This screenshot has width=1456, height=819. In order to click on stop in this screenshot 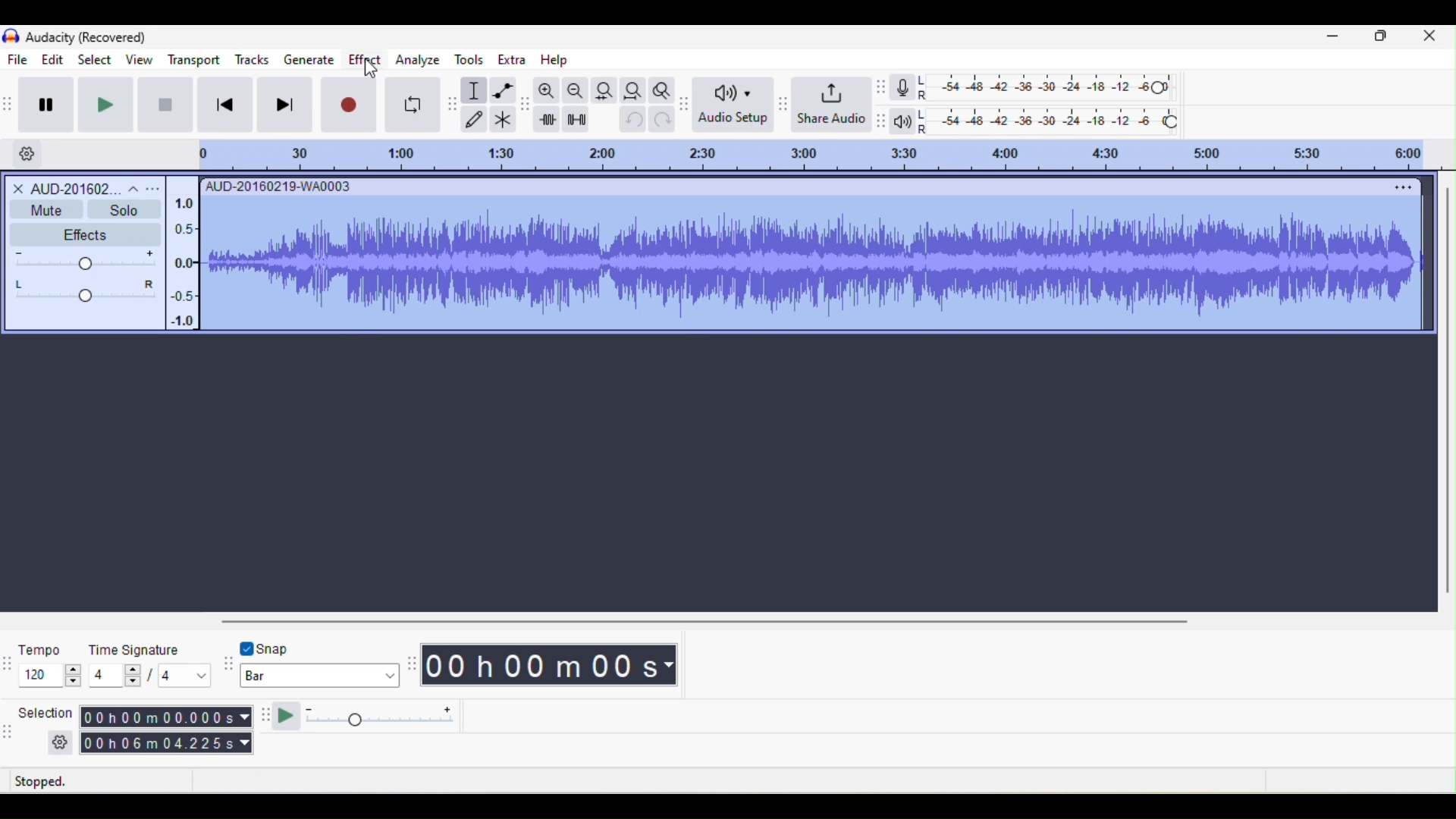, I will do `click(163, 104)`.